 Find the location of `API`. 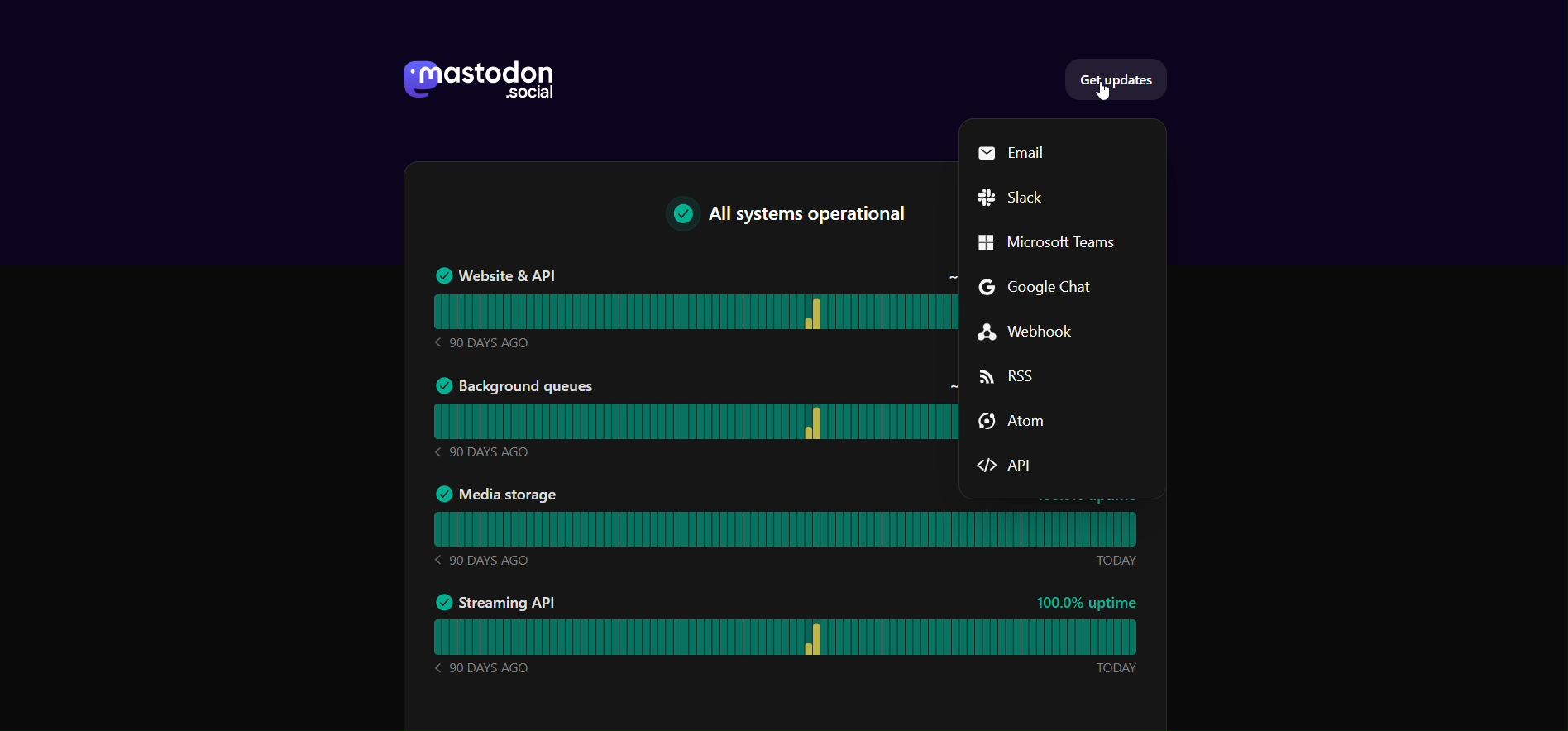

API is located at coordinates (1021, 465).